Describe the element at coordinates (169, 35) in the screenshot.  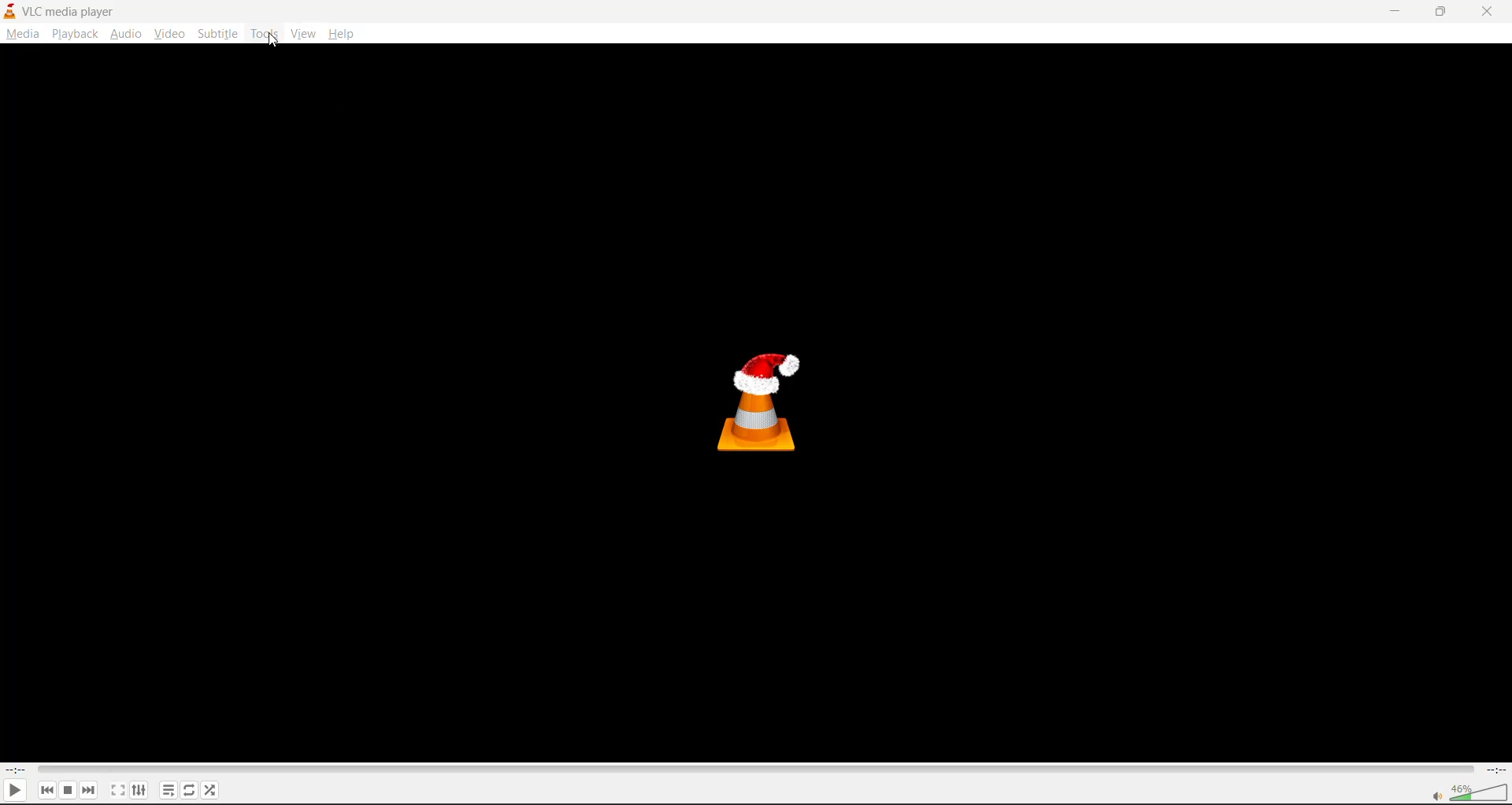
I see `video` at that location.